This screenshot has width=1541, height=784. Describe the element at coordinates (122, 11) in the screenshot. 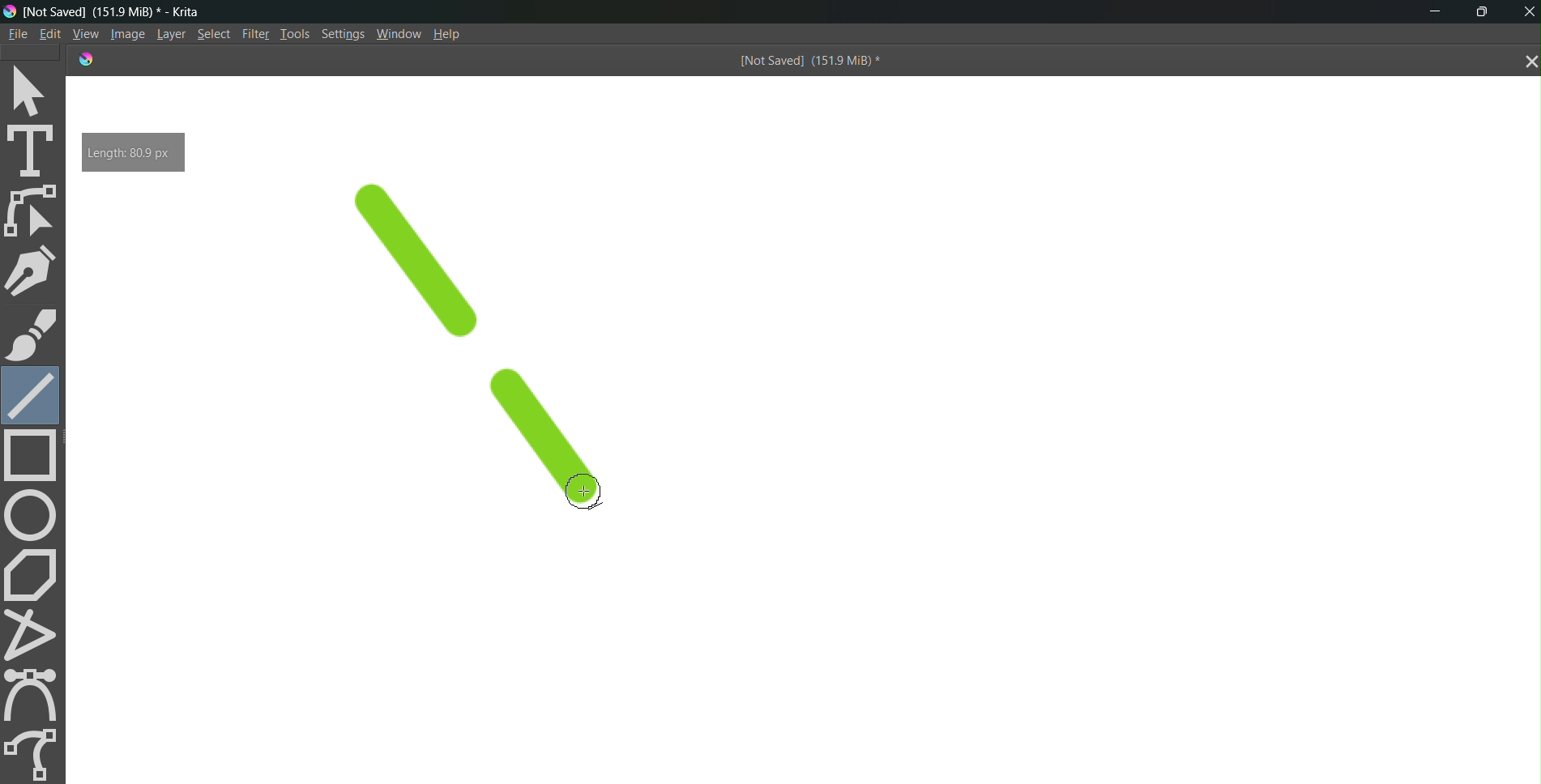

I see `[Not Saved] (151.9 MiB) * - Krita` at that location.